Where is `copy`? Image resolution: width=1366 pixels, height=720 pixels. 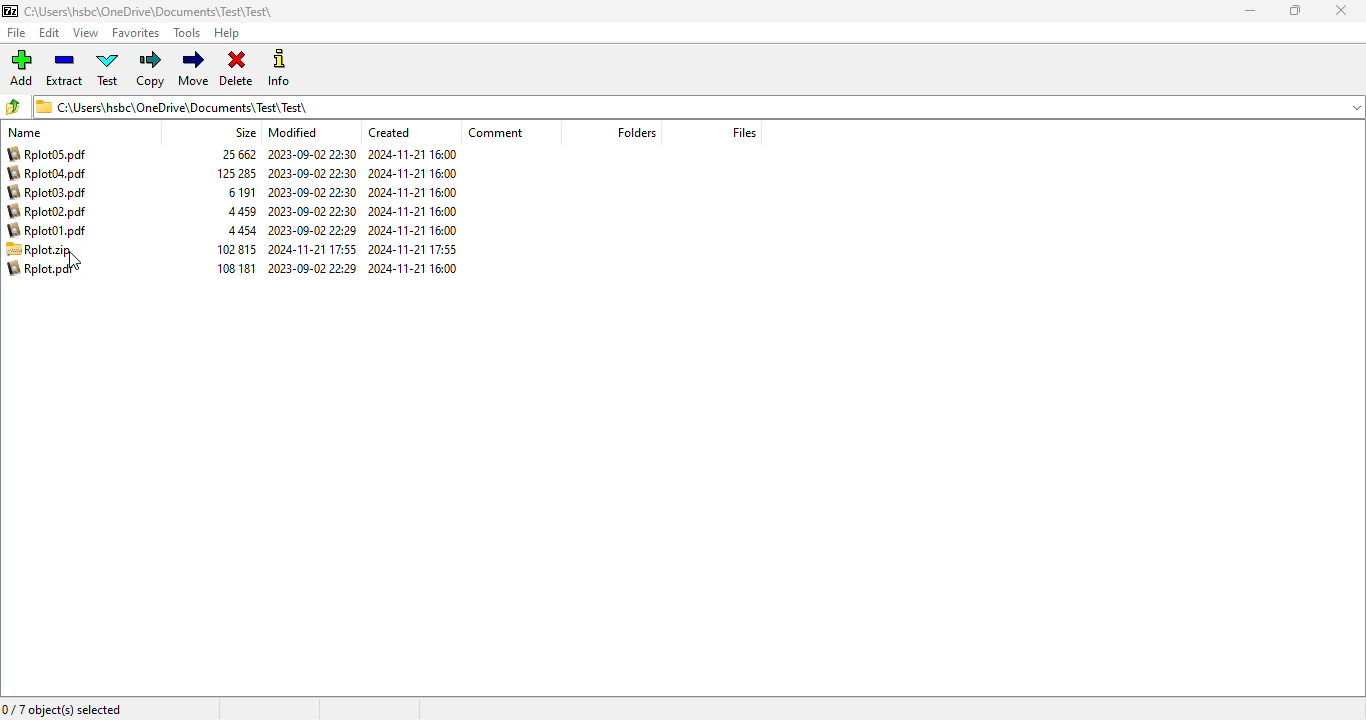
copy is located at coordinates (150, 69).